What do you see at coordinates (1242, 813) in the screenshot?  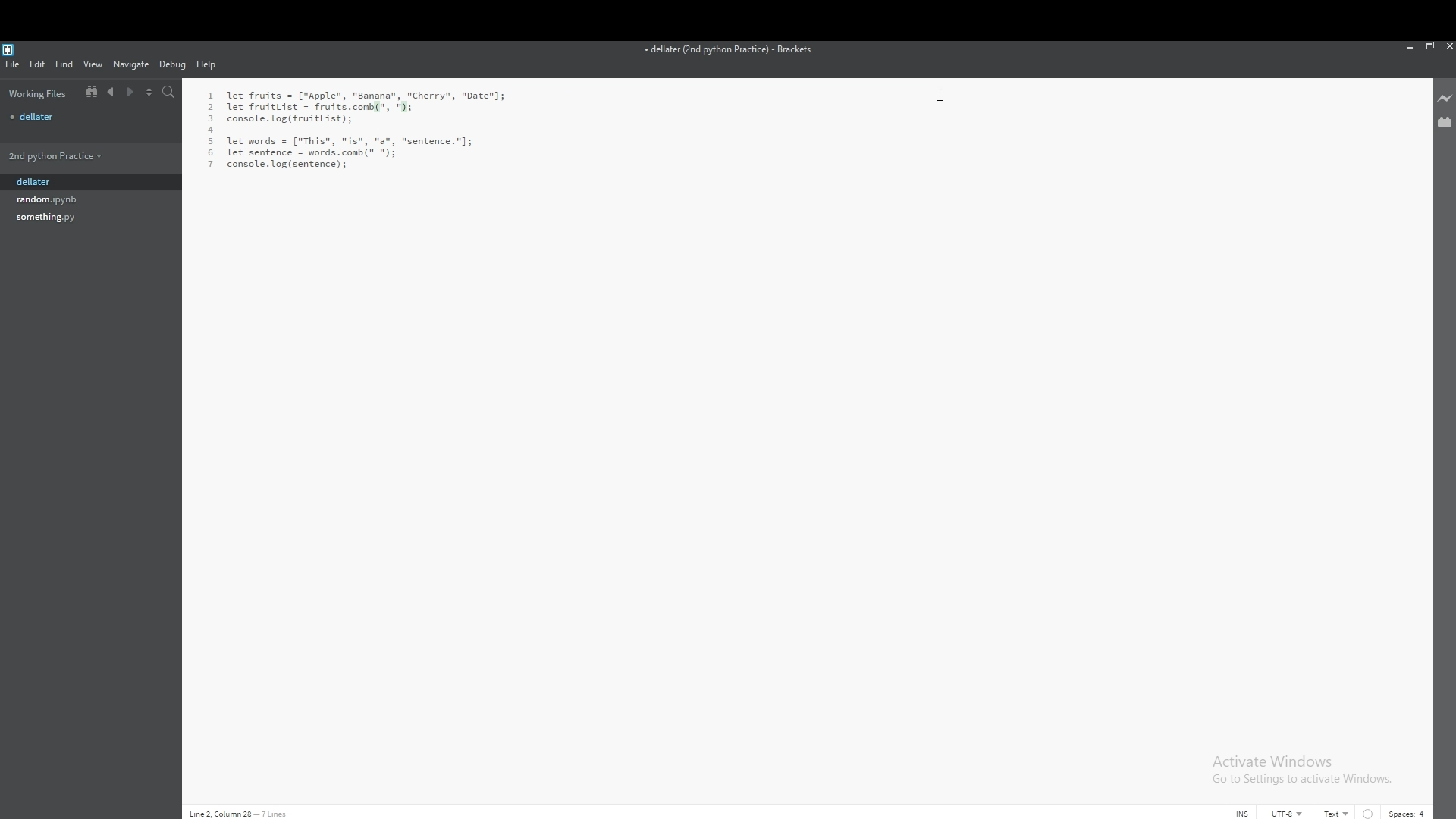 I see `cursor mode` at bounding box center [1242, 813].